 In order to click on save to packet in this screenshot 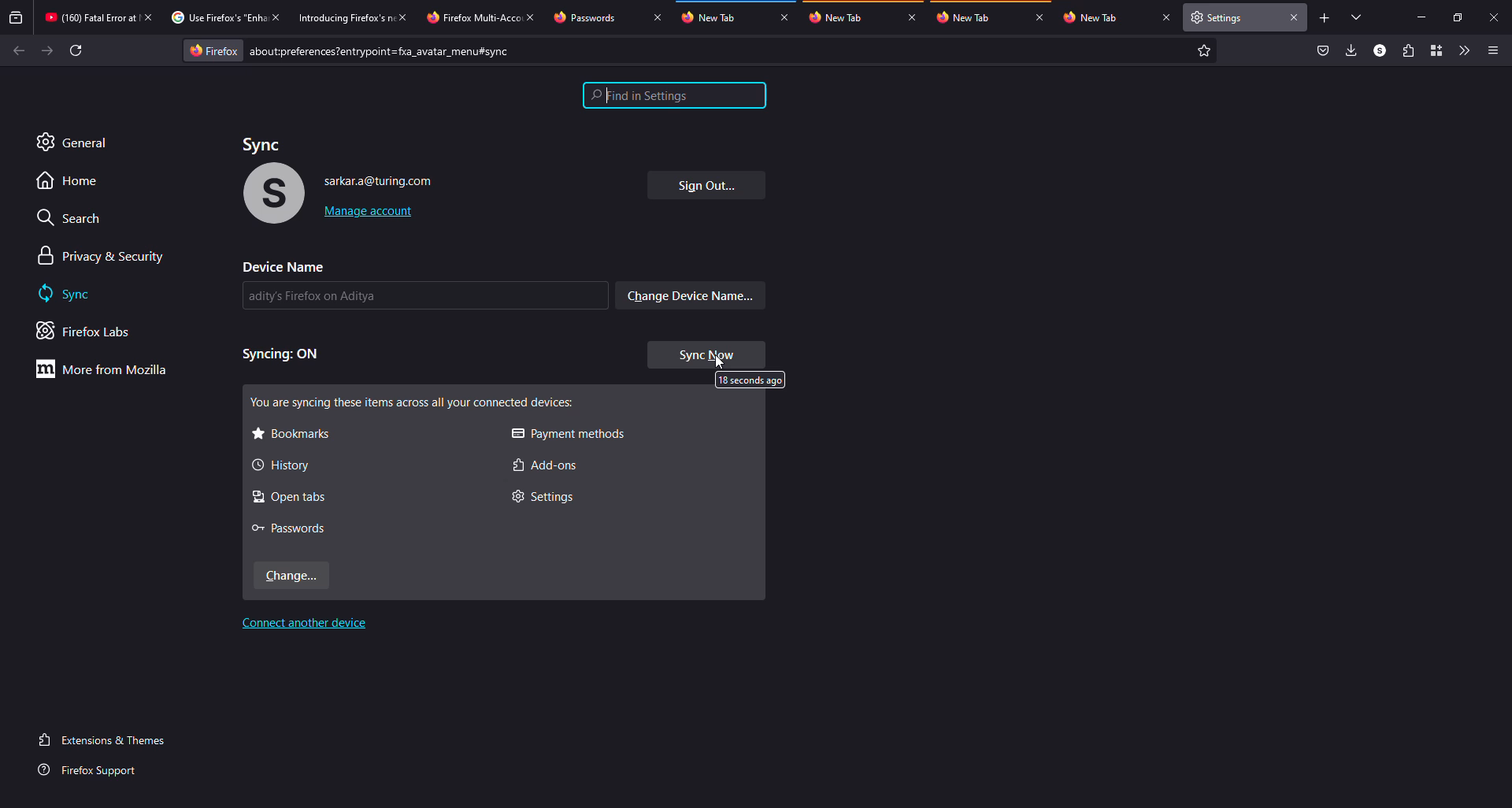, I will do `click(1320, 50)`.